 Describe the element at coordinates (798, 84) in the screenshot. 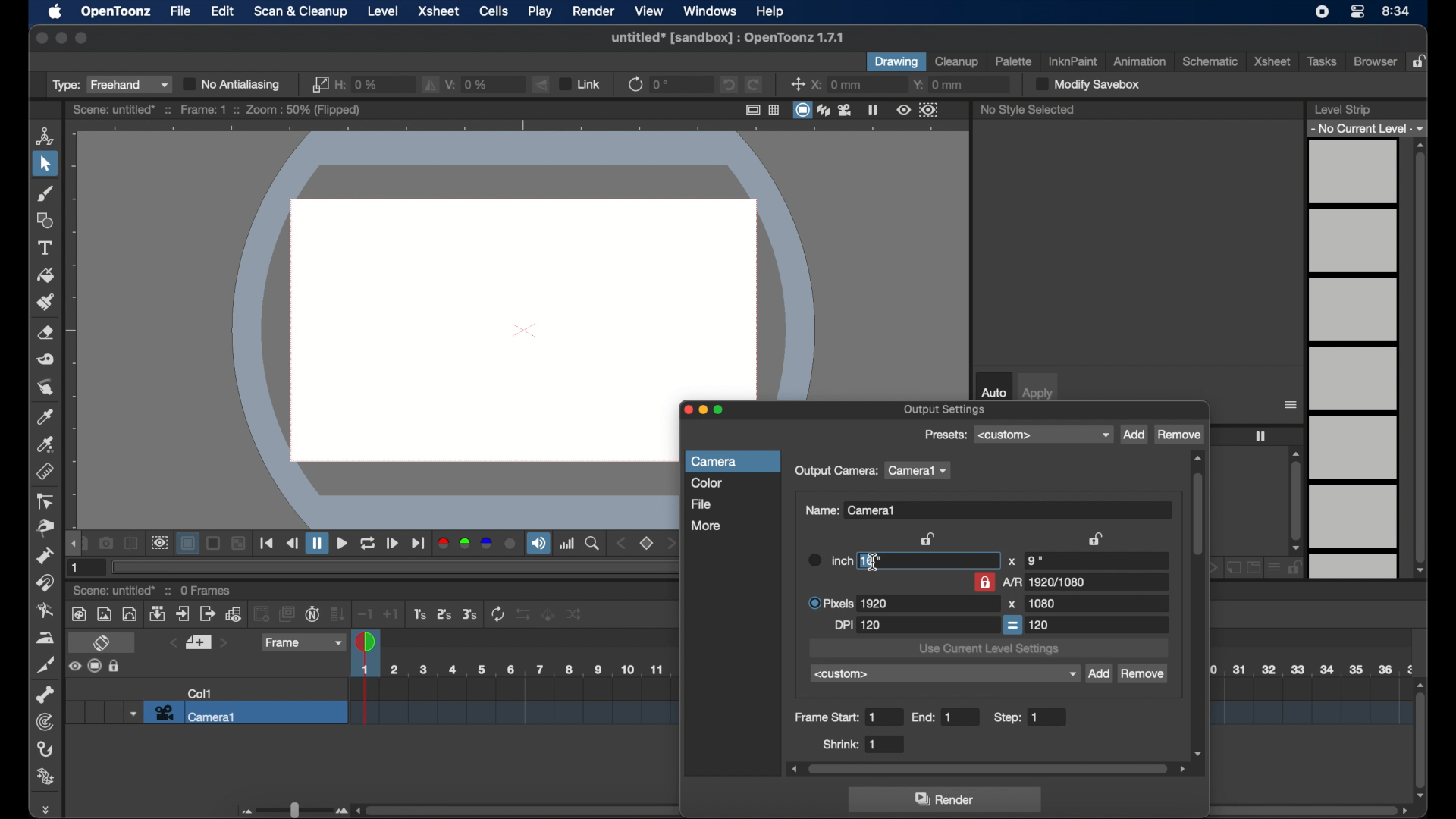

I see `center` at that location.